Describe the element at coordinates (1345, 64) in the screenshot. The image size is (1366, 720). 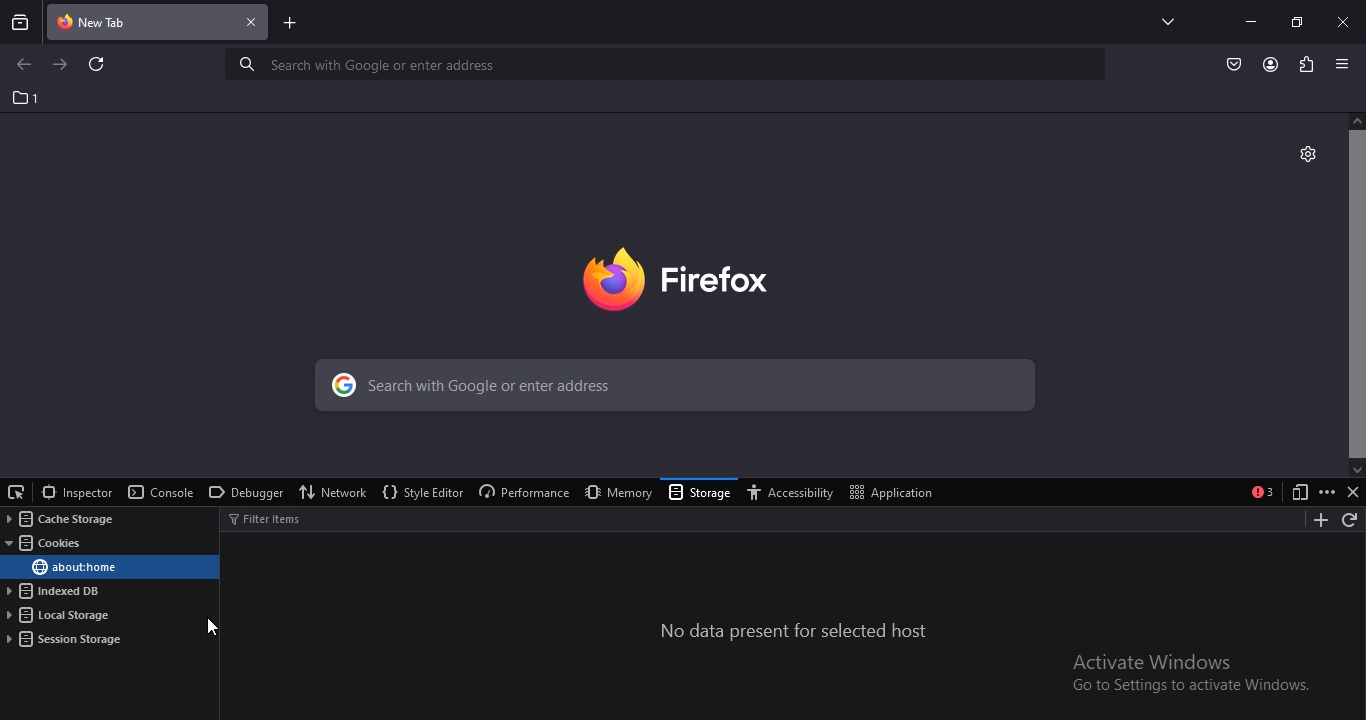
I see `open application menu` at that location.